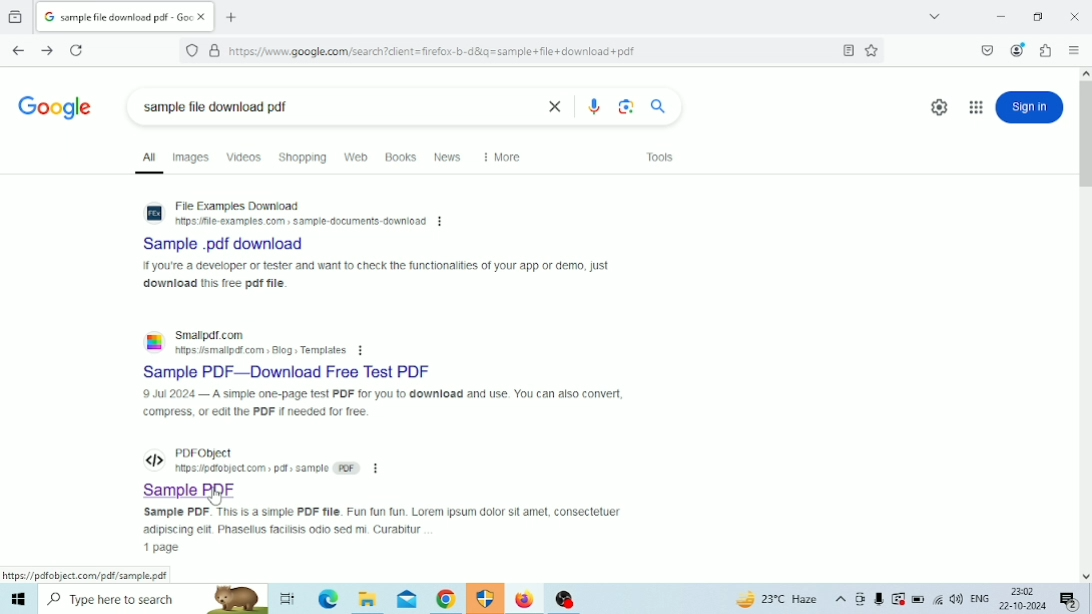 The width and height of the screenshot is (1092, 614). Describe the element at coordinates (46, 50) in the screenshot. I see `Go forward one page` at that location.